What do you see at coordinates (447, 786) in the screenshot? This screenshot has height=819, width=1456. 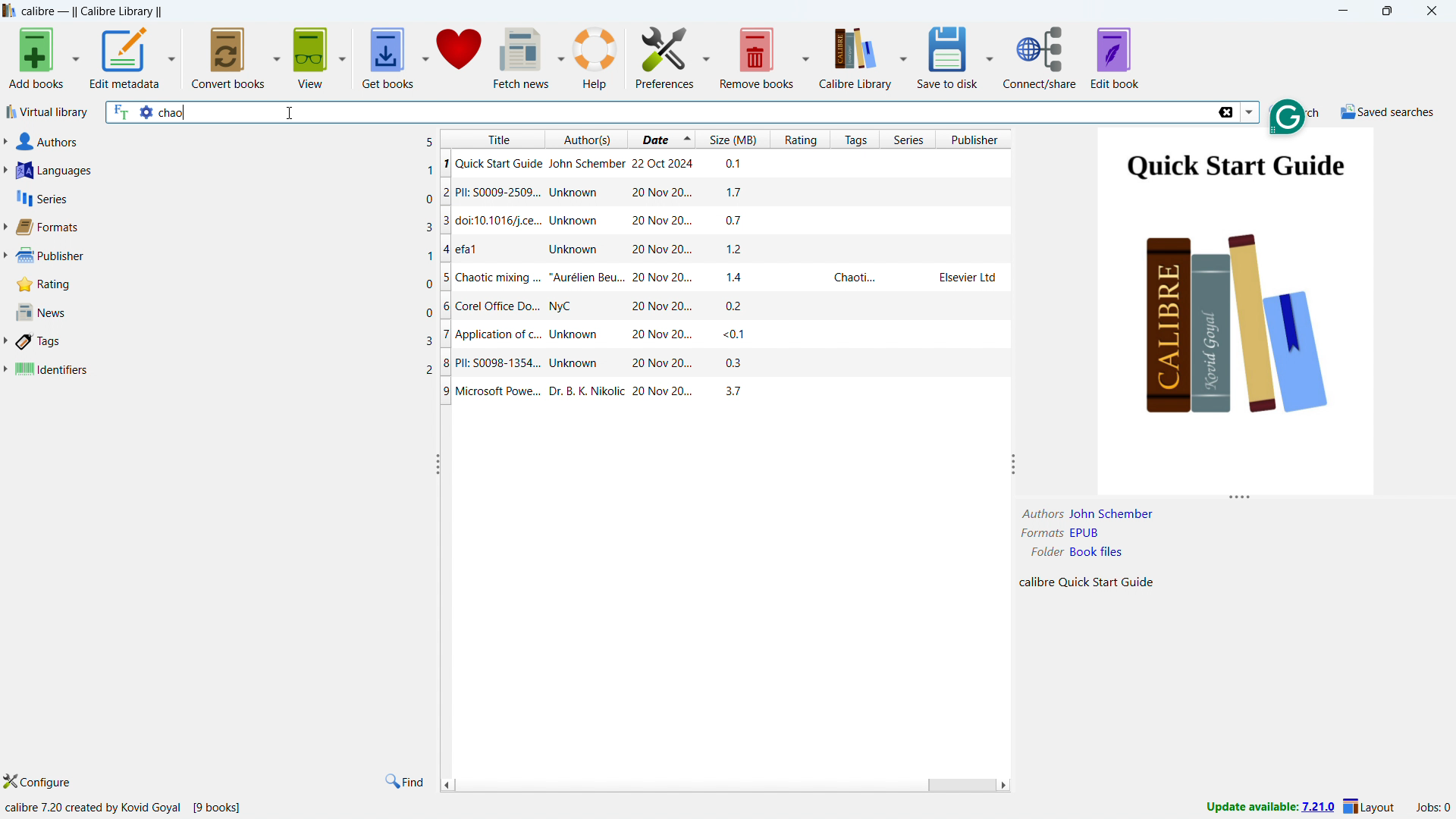 I see `scroll left` at bounding box center [447, 786].